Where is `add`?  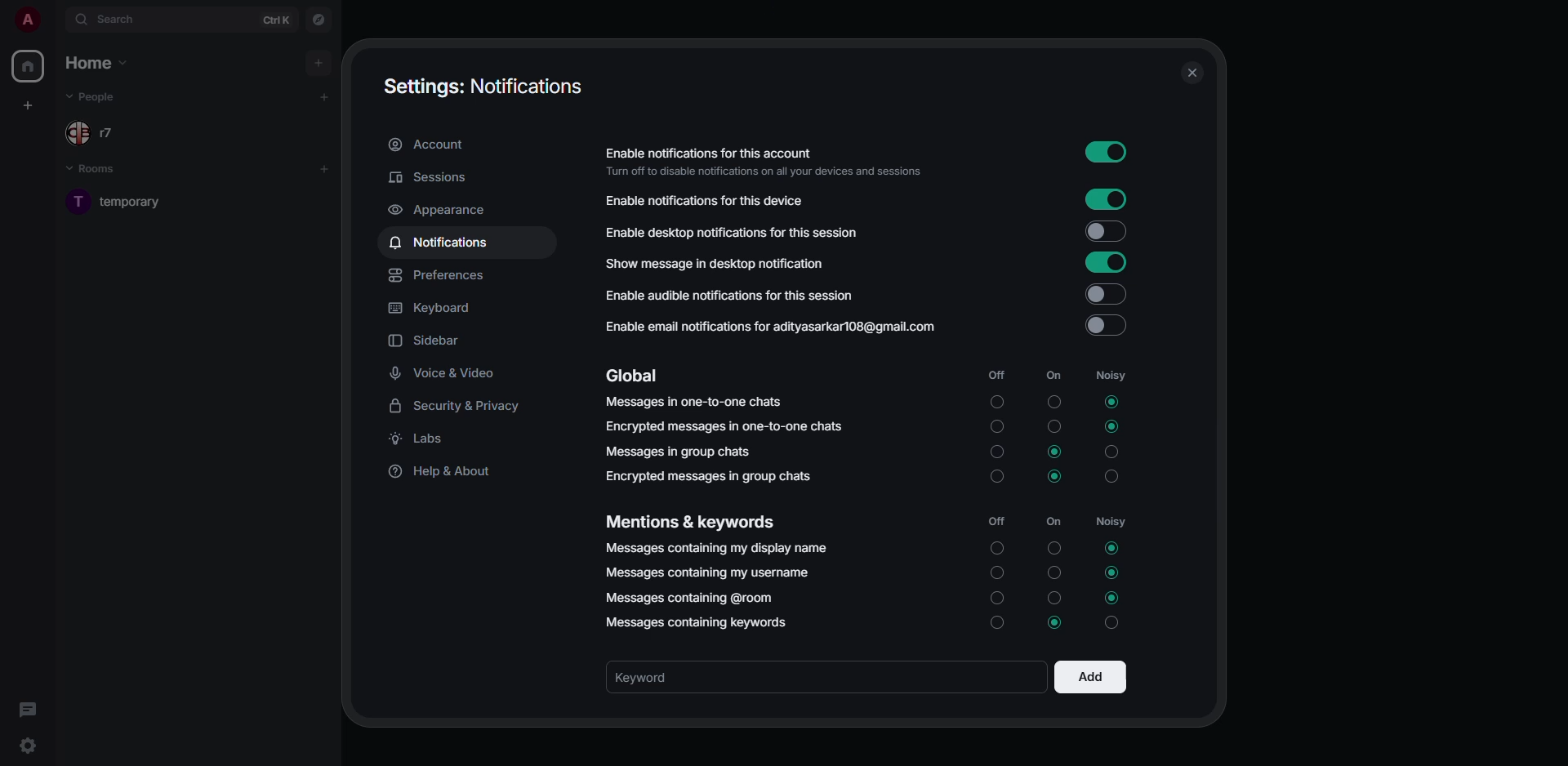 add is located at coordinates (1090, 675).